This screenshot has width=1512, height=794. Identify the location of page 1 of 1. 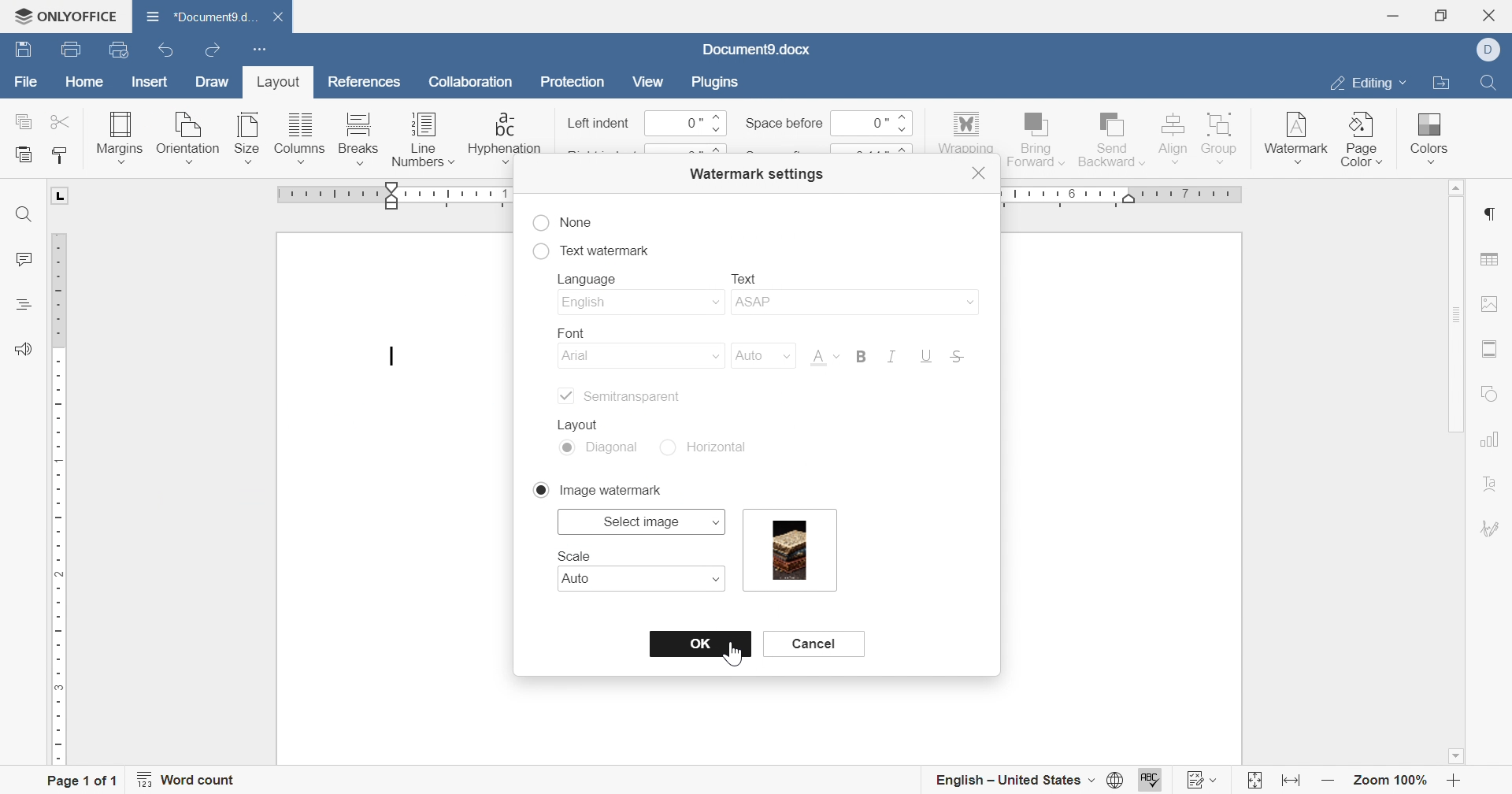
(81, 782).